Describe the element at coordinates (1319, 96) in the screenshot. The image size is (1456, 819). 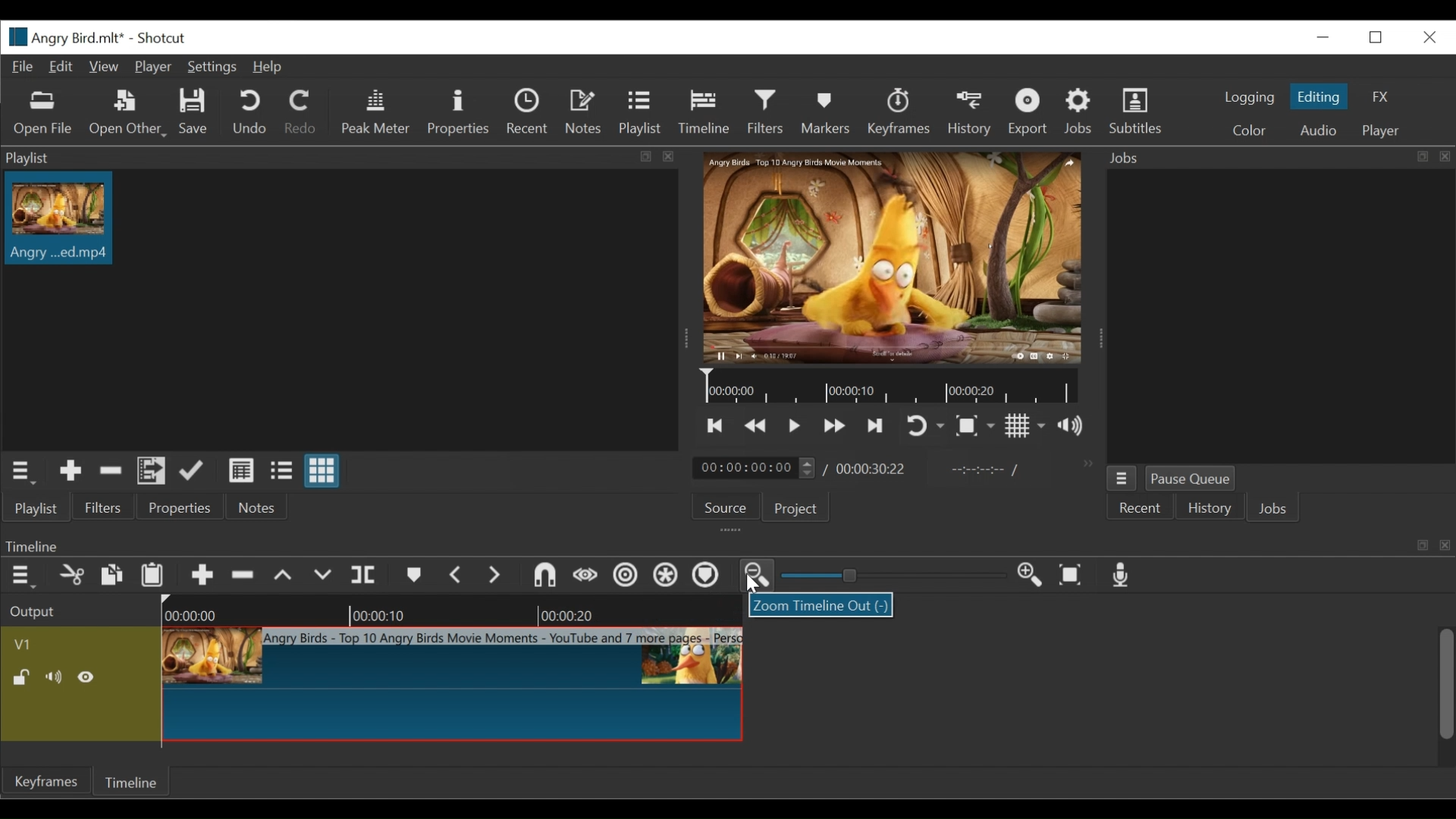
I see `Editing` at that location.